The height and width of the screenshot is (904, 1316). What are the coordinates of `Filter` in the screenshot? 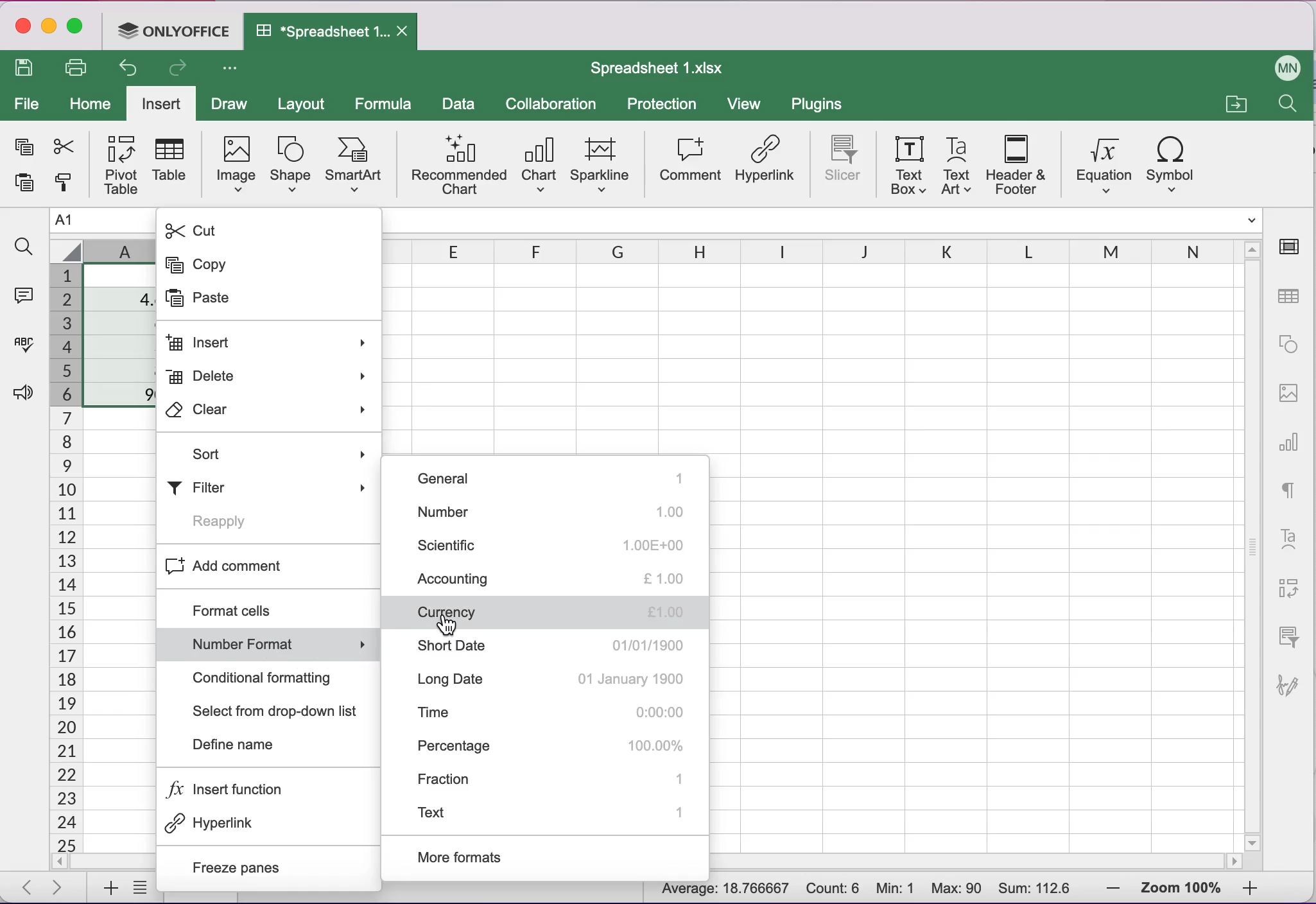 It's located at (274, 483).